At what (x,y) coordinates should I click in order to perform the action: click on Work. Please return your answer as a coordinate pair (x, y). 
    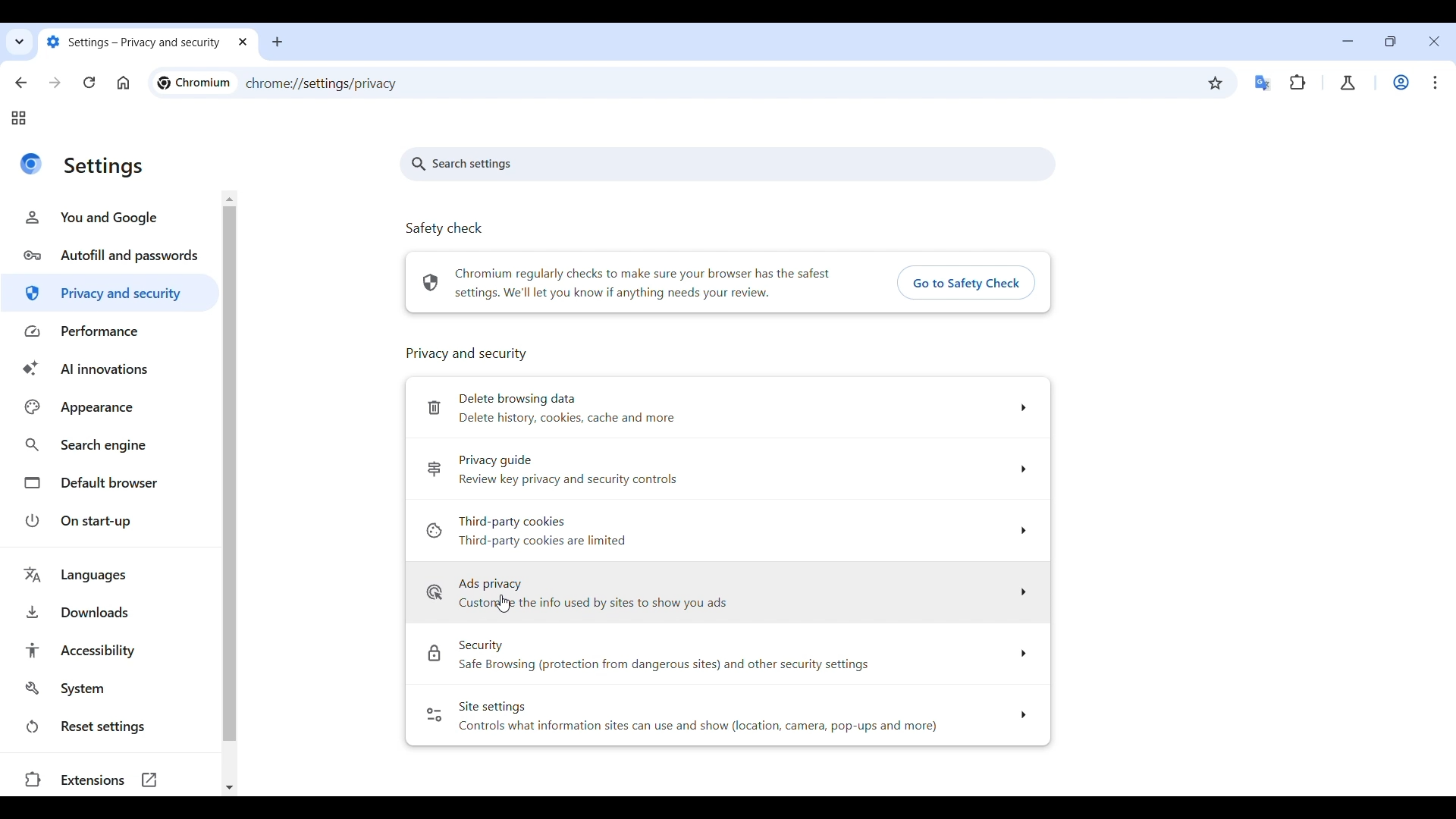
    Looking at the image, I should click on (1401, 82).